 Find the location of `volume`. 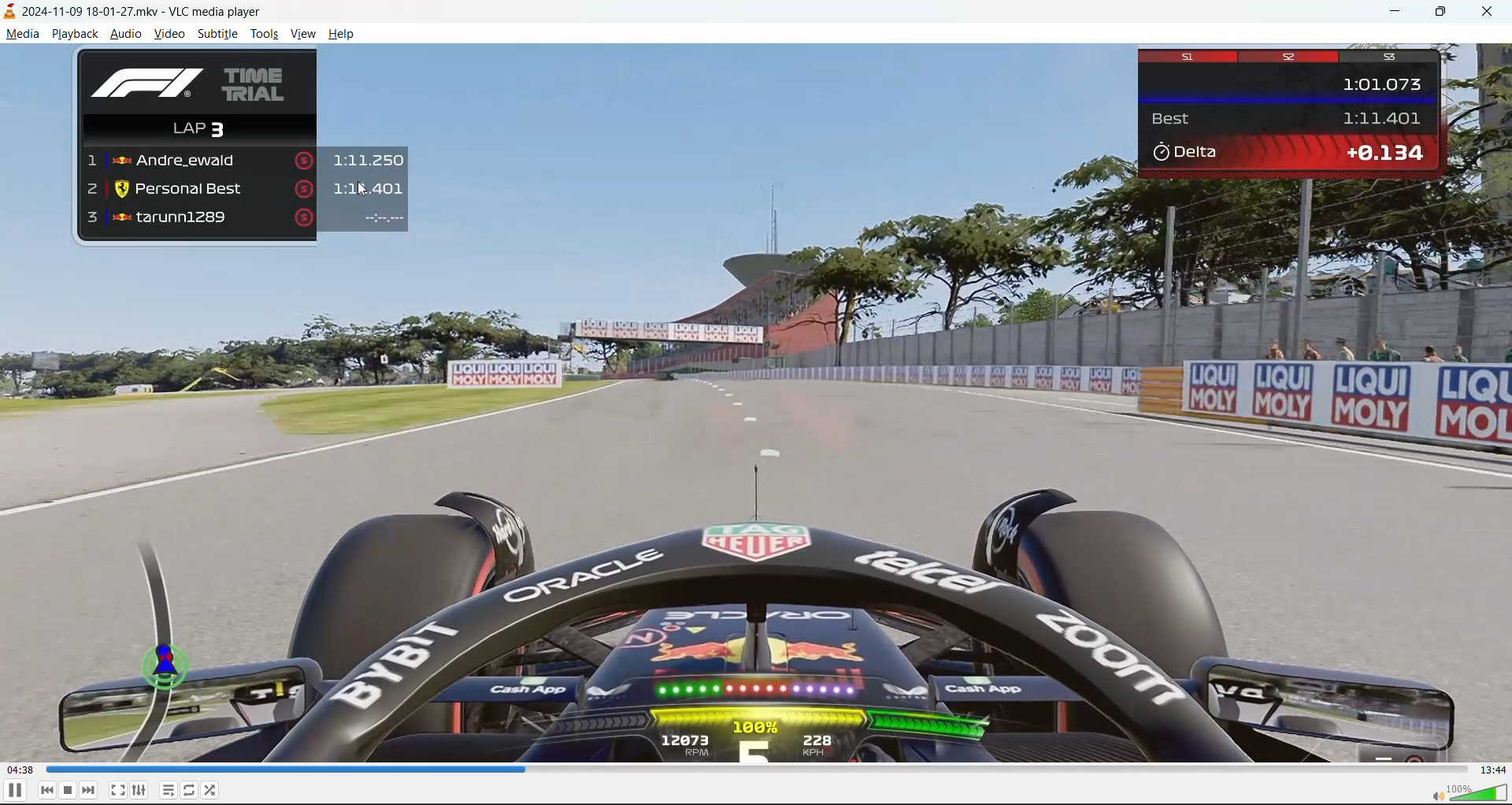

volume is located at coordinates (1470, 792).